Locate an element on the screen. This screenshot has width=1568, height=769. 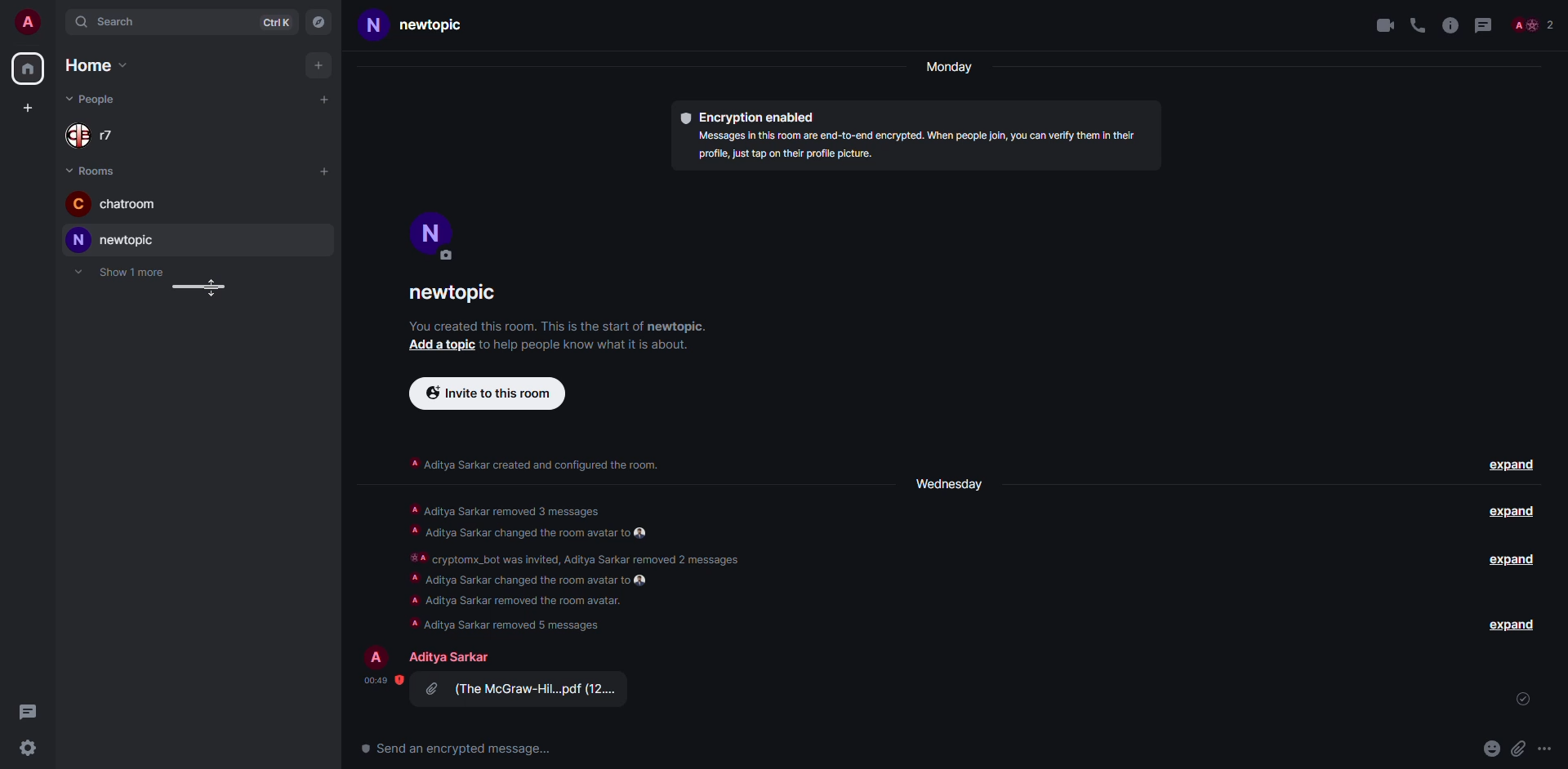
people is located at coordinates (1531, 26).